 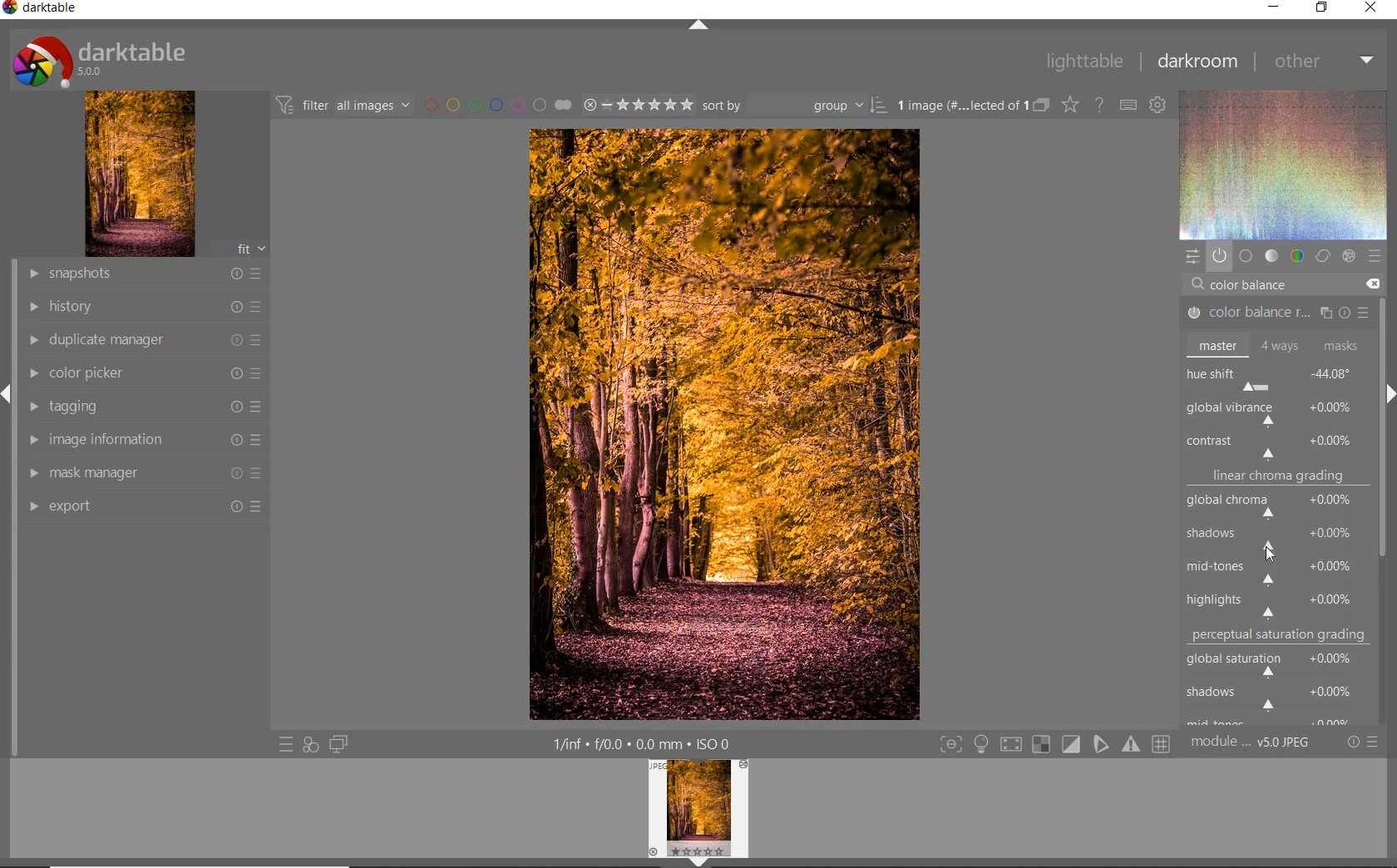 I want to click on linear chroma grading, so click(x=1277, y=479).